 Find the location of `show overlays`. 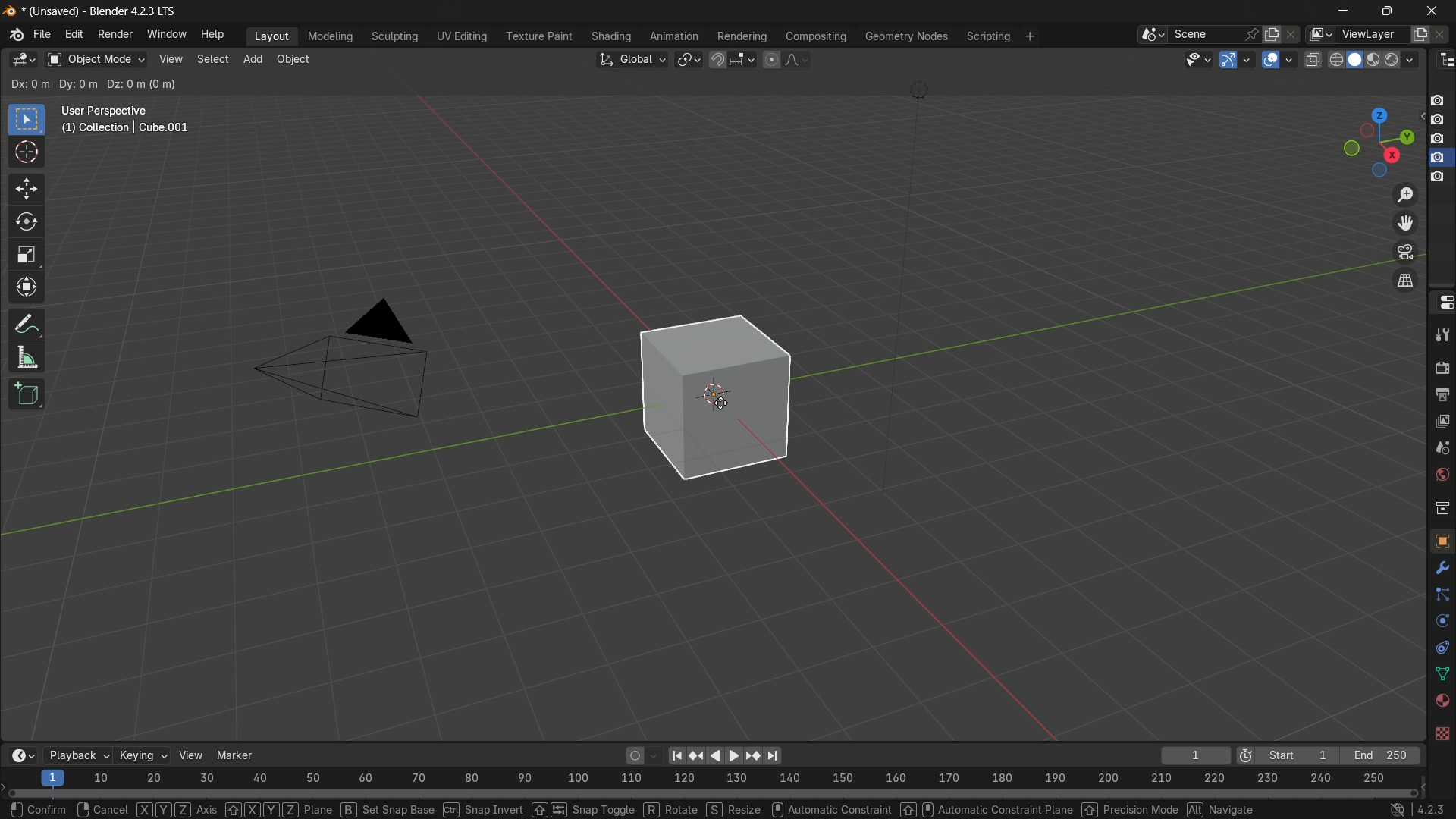

show overlays is located at coordinates (1270, 59).